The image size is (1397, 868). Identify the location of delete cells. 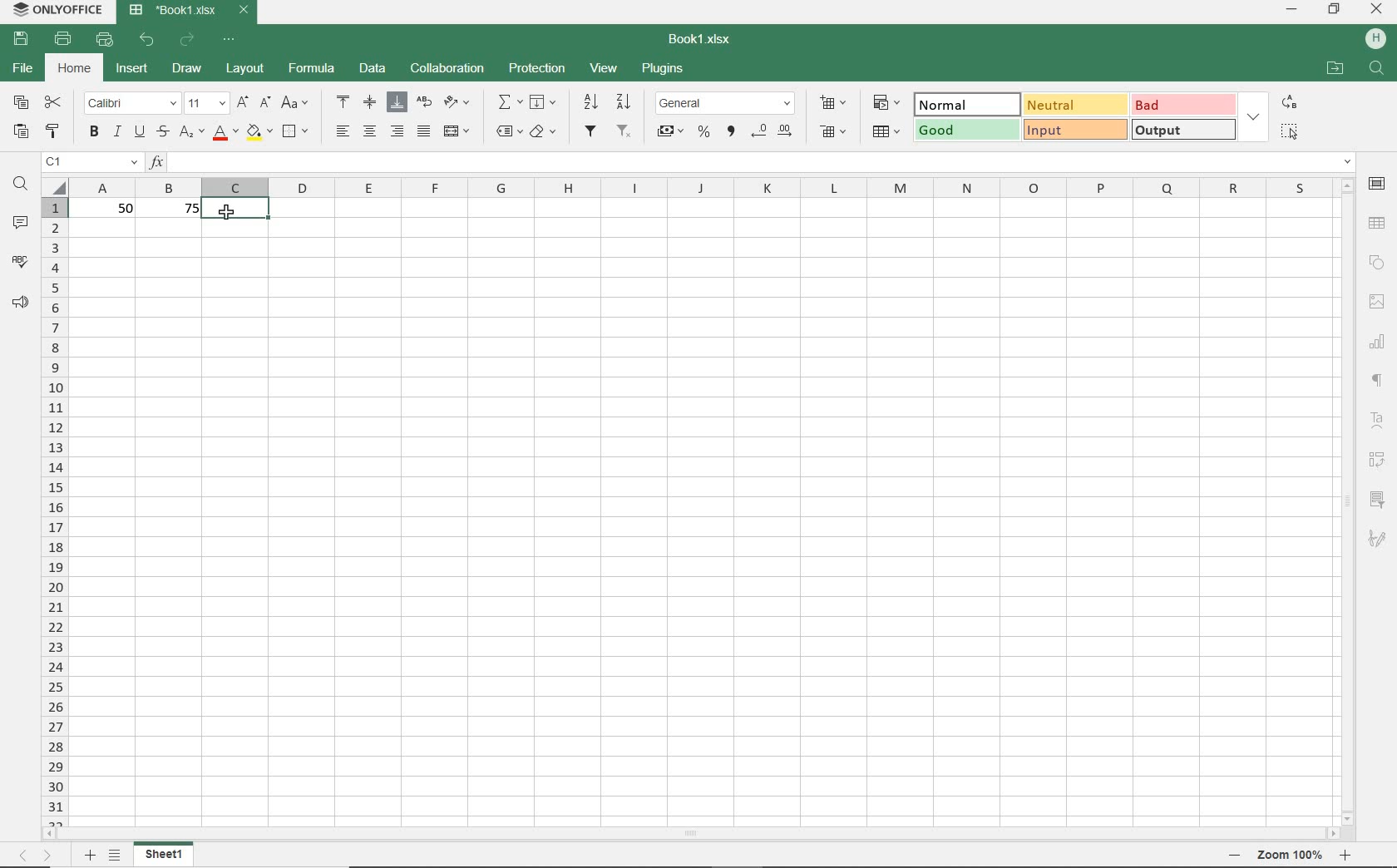
(886, 133).